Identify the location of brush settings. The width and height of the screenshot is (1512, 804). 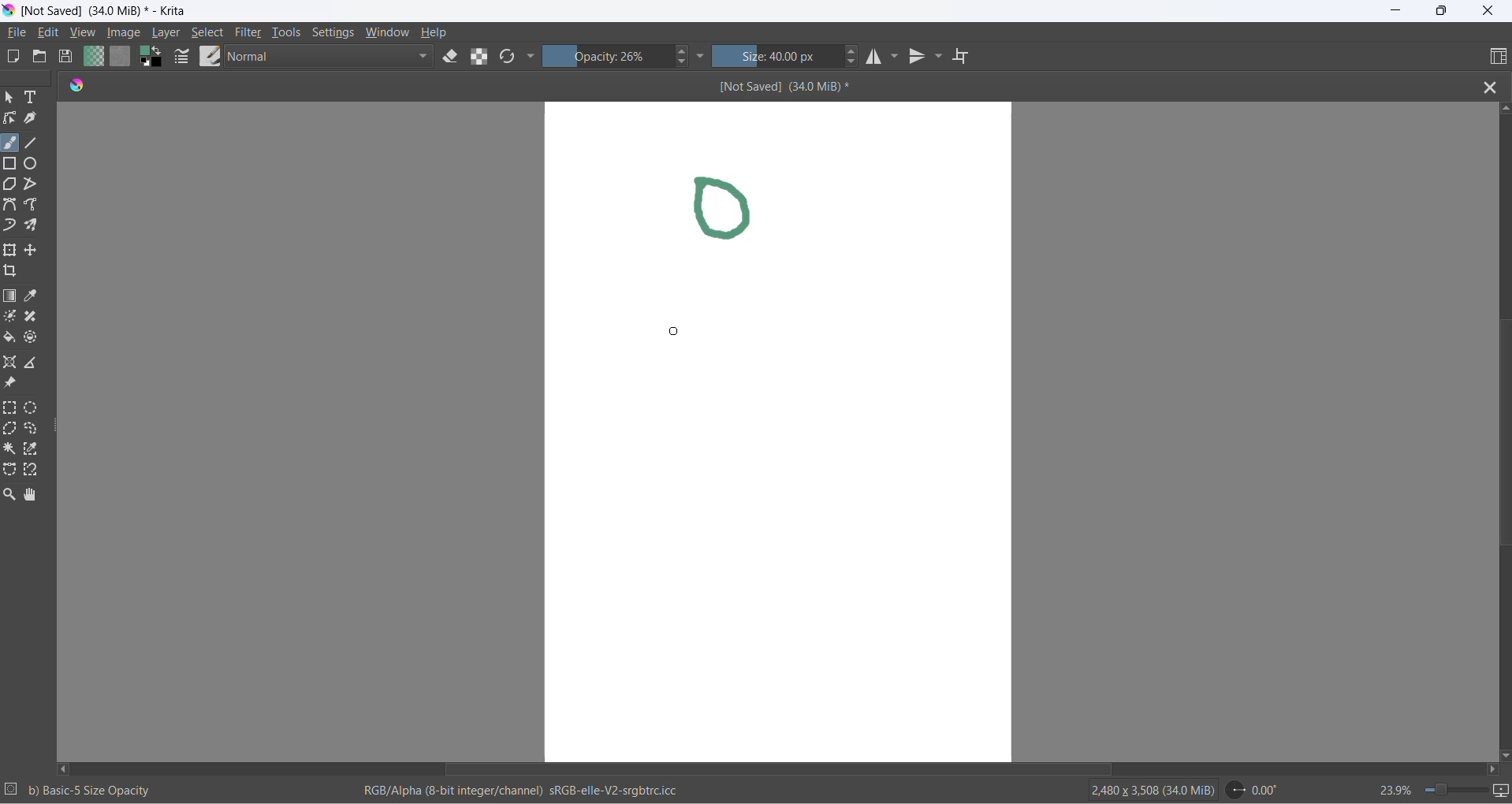
(181, 58).